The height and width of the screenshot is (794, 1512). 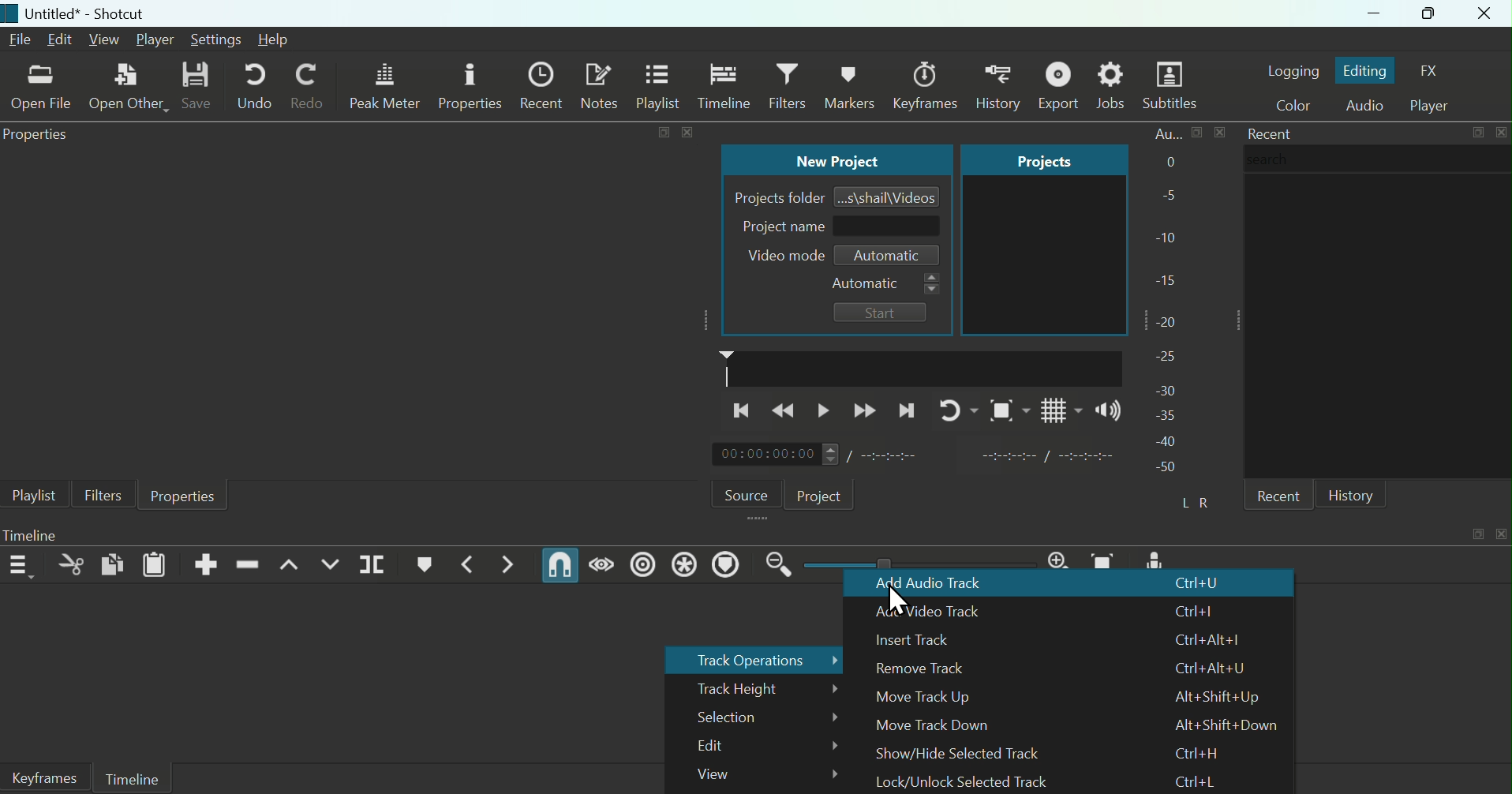 I want to click on -10, so click(x=1170, y=237).